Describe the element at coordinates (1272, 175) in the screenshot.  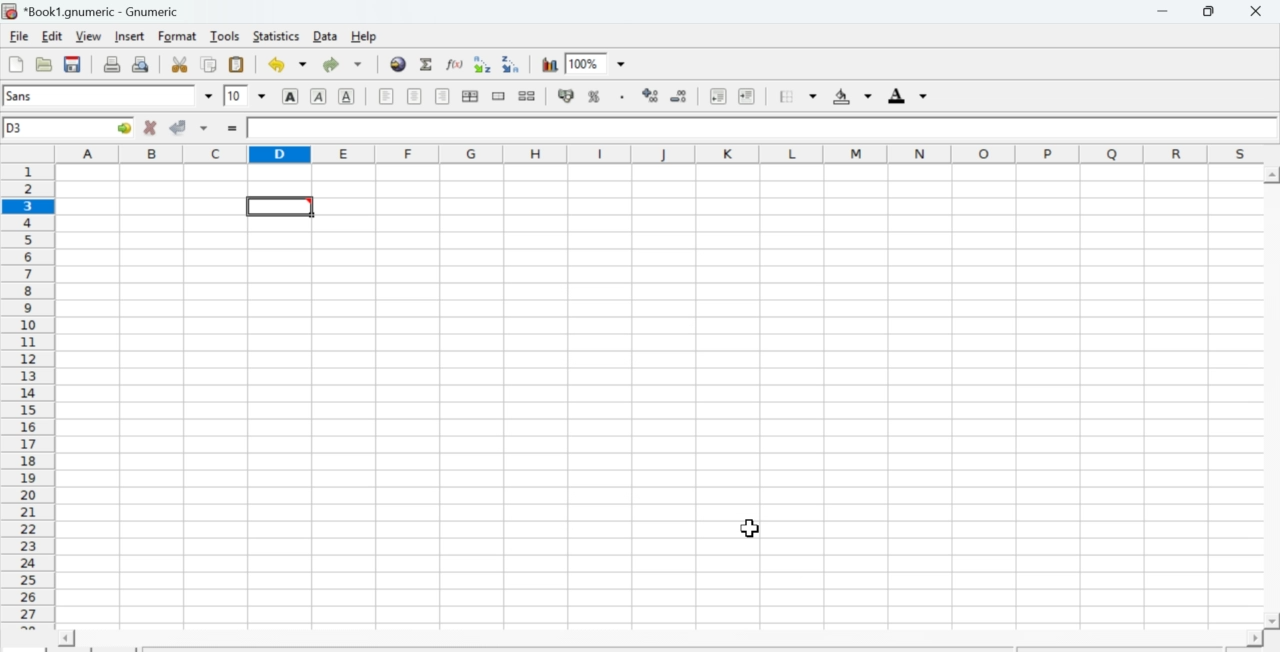
I see `scroll up` at that location.